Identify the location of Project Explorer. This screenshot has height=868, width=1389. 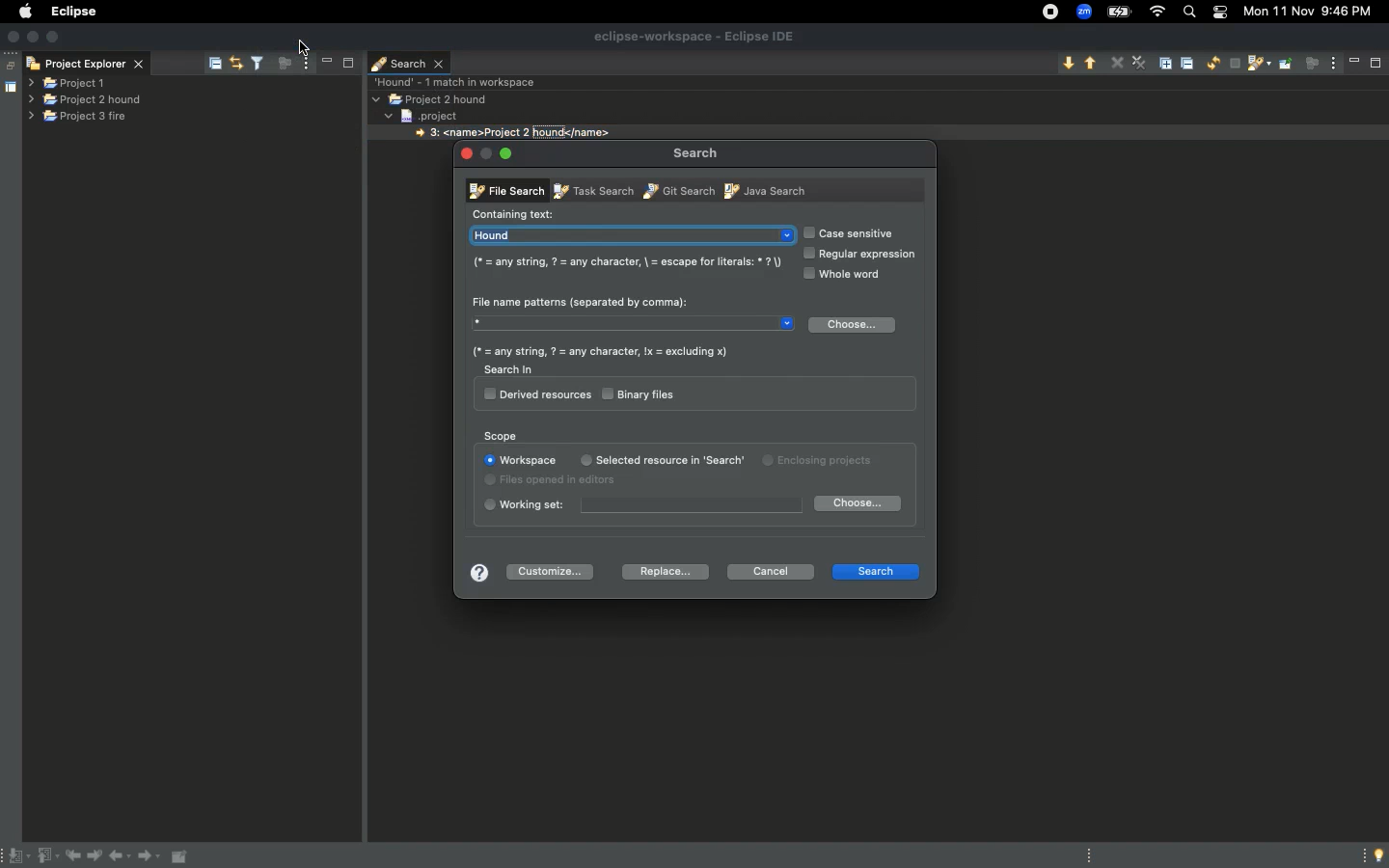
(88, 62).